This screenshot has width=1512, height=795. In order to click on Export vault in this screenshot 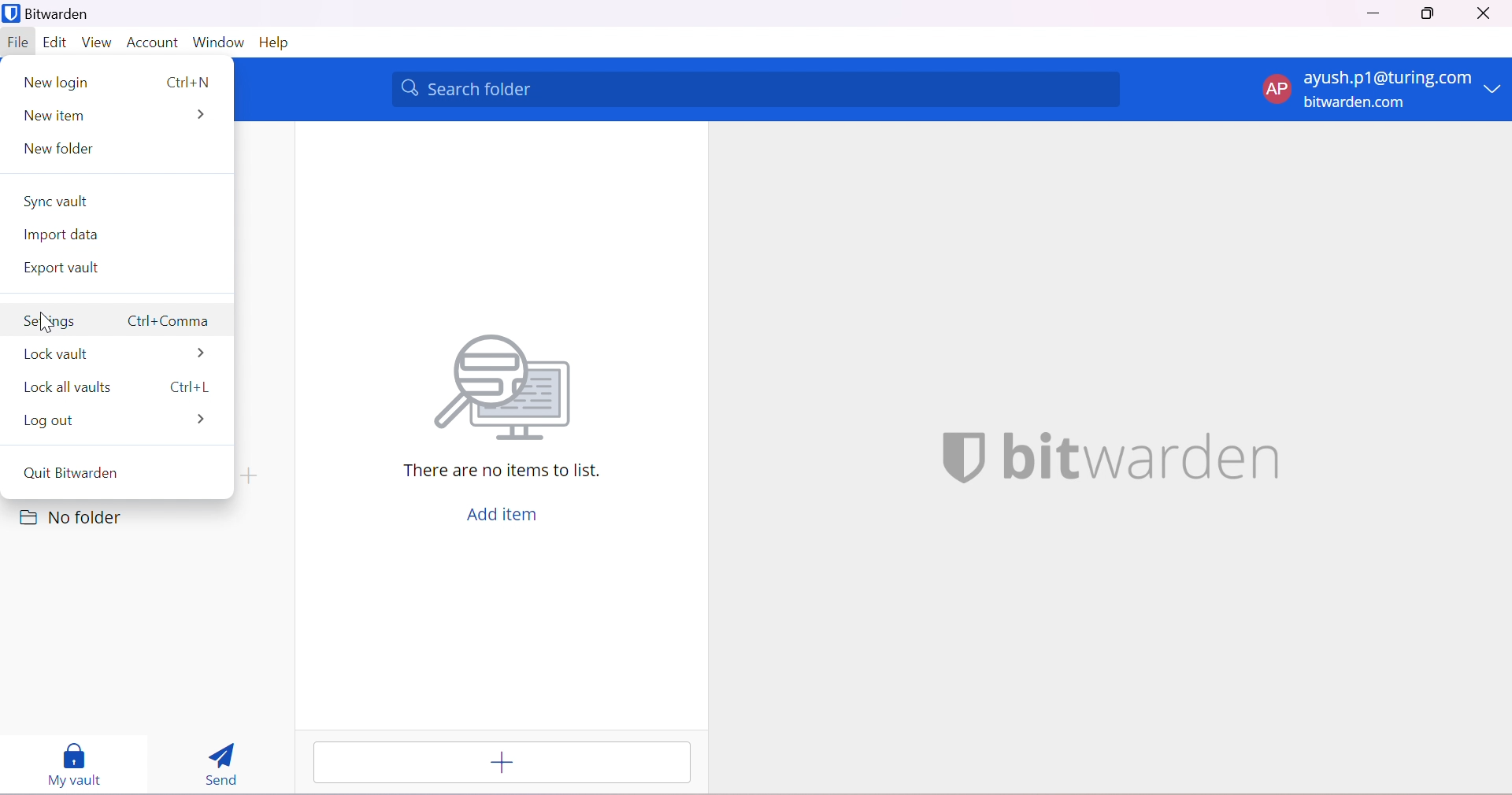, I will do `click(65, 269)`.